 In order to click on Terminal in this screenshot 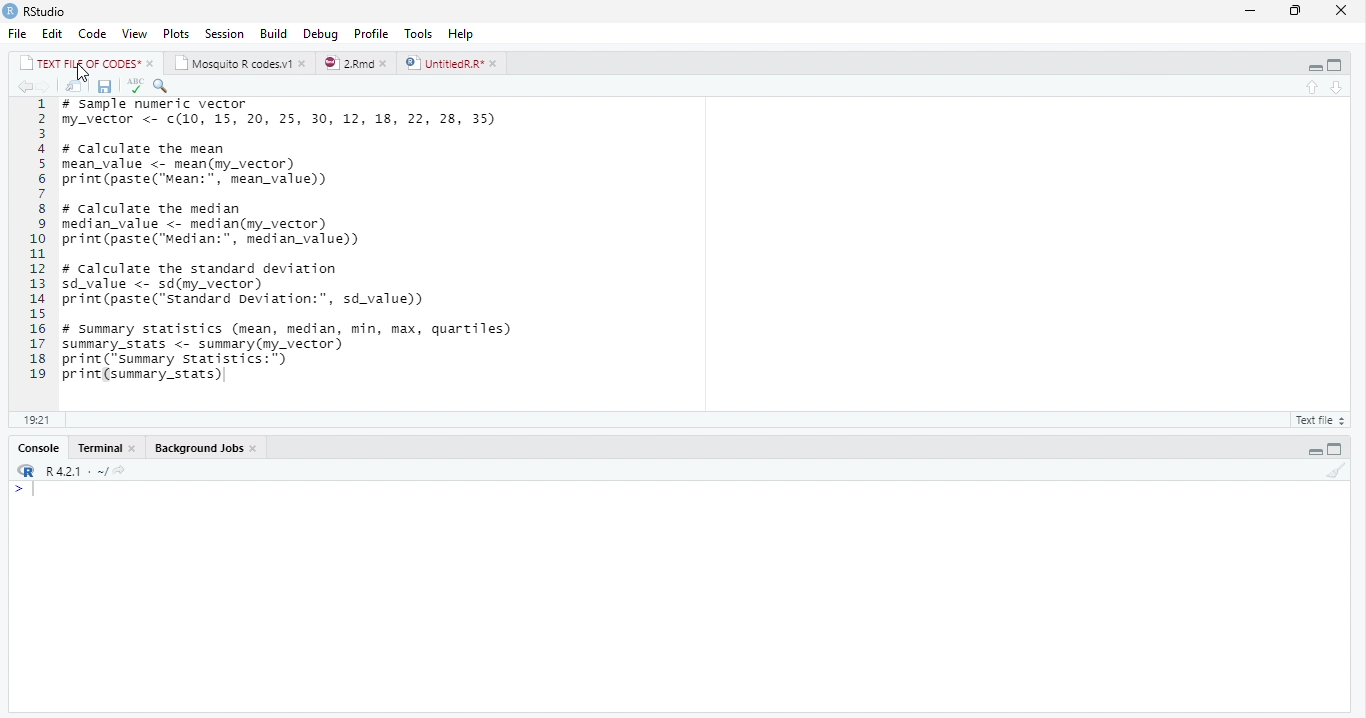, I will do `click(101, 448)`.